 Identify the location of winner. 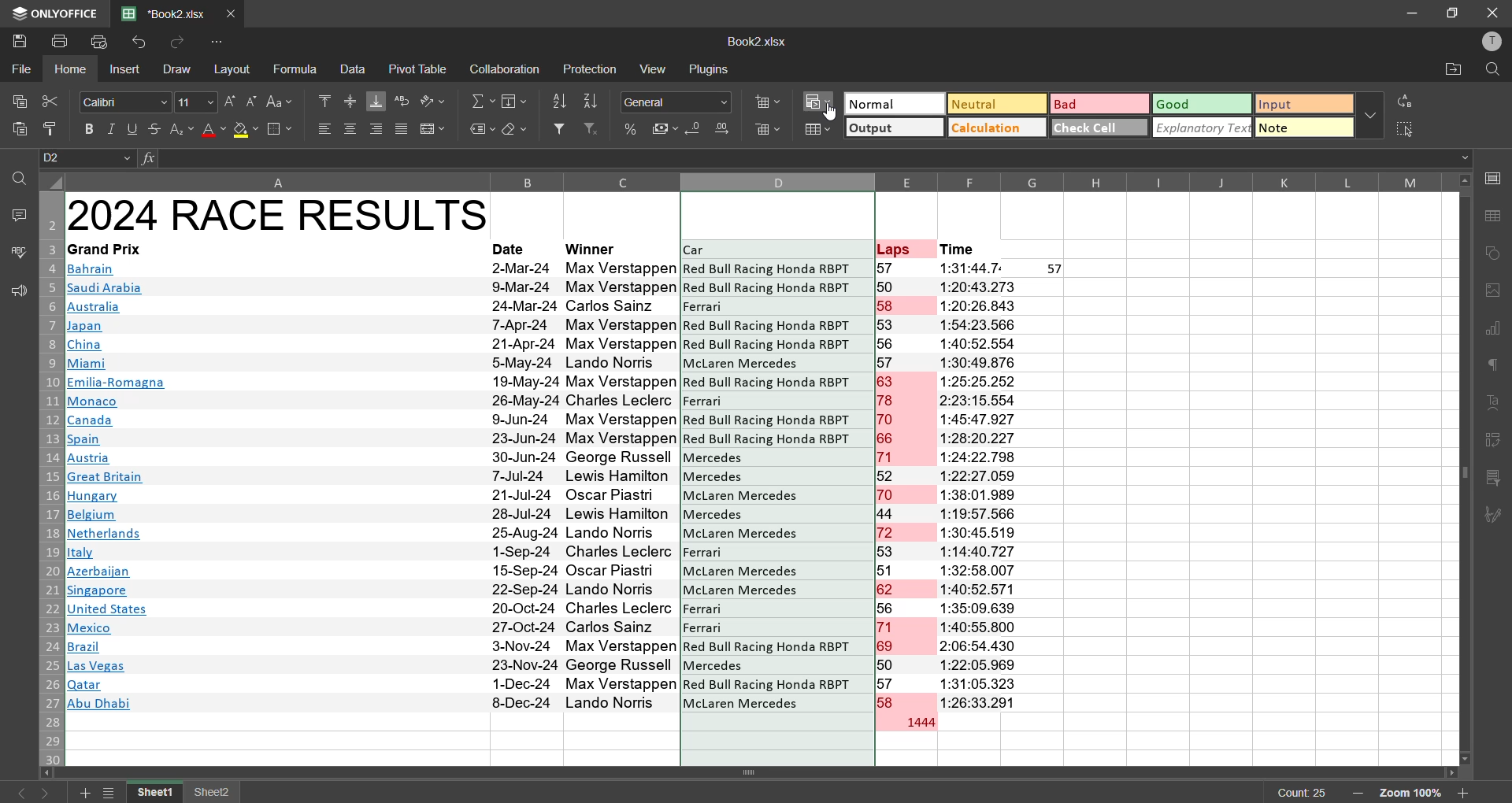
(594, 248).